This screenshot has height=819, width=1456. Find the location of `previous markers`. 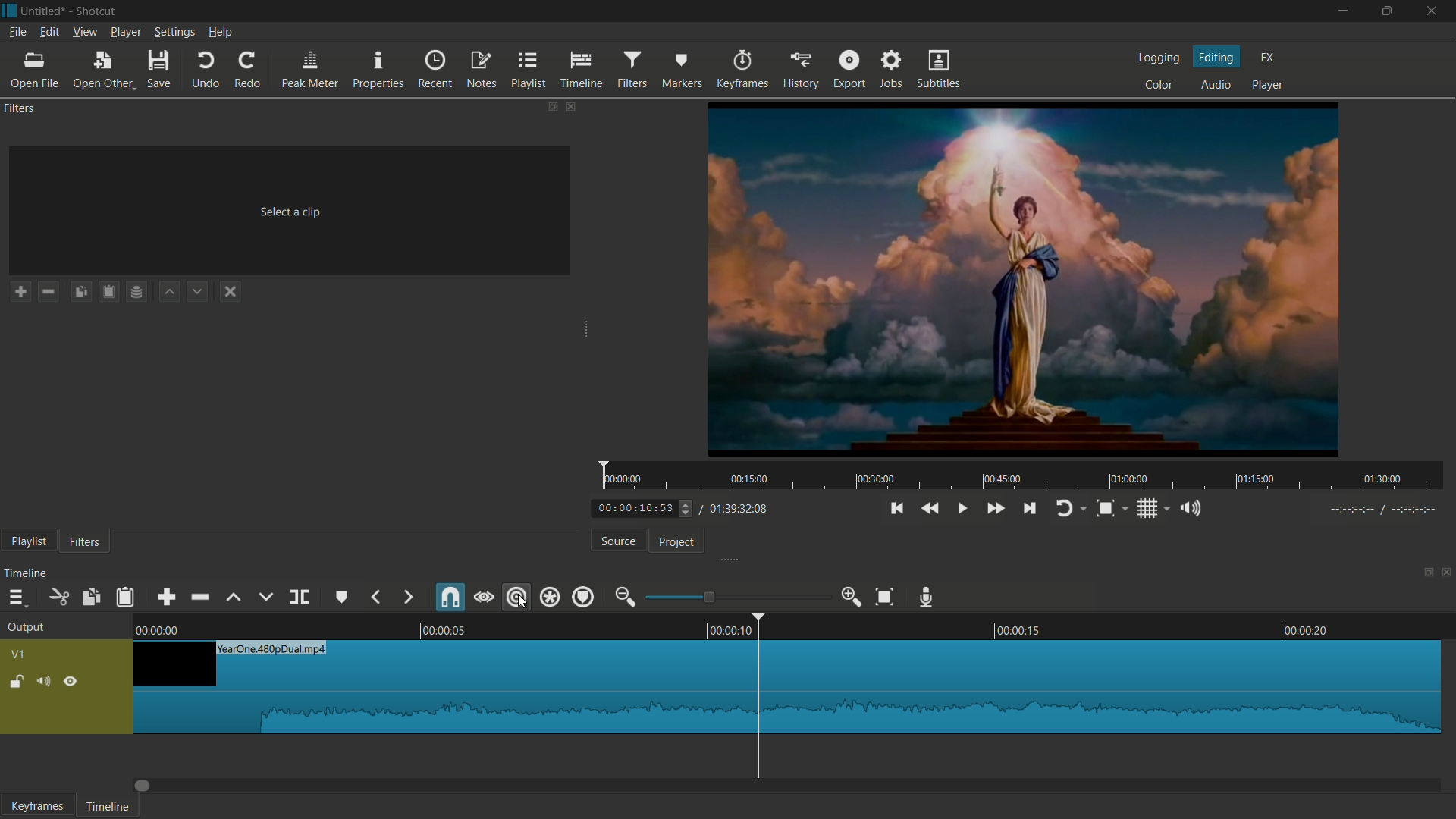

previous markers is located at coordinates (375, 597).